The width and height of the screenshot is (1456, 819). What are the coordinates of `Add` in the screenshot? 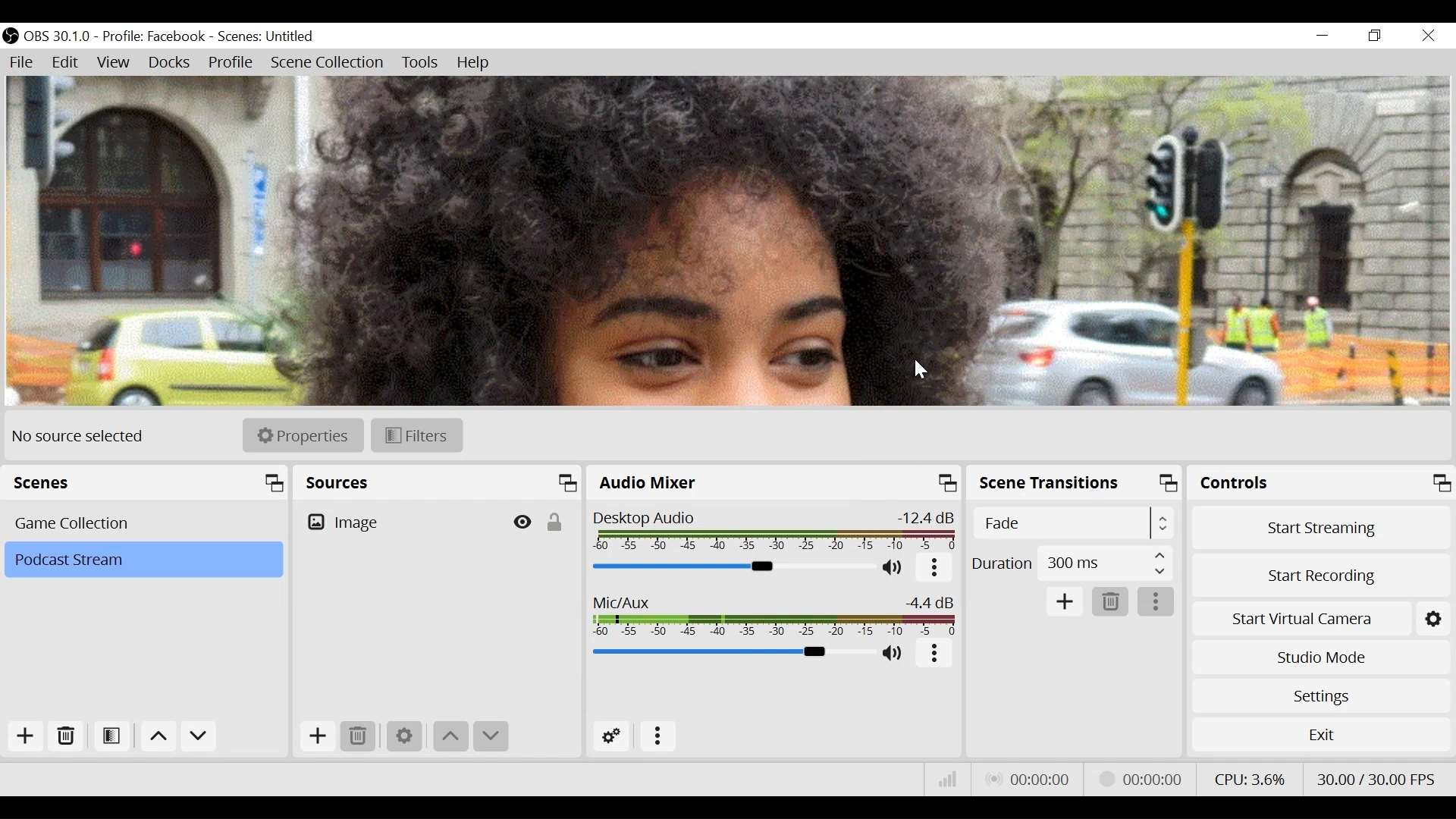 It's located at (318, 737).